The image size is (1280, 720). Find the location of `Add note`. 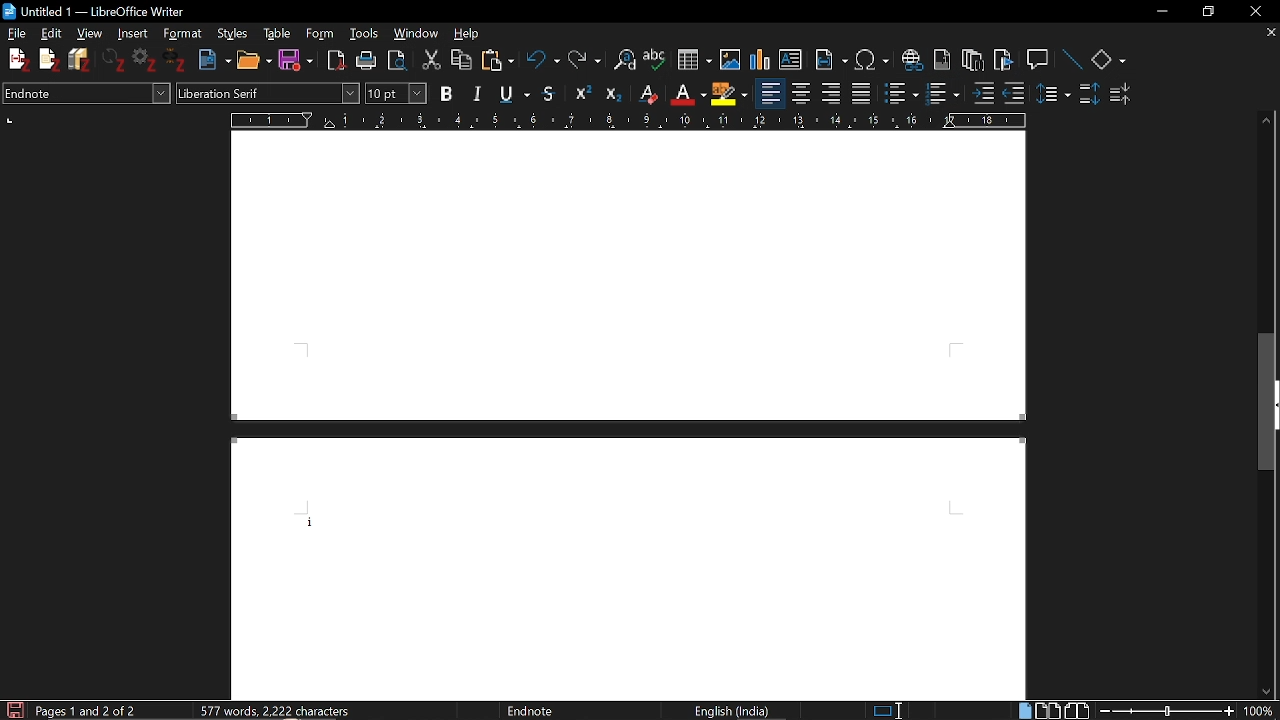

Add note is located at coordinates (50, 60).